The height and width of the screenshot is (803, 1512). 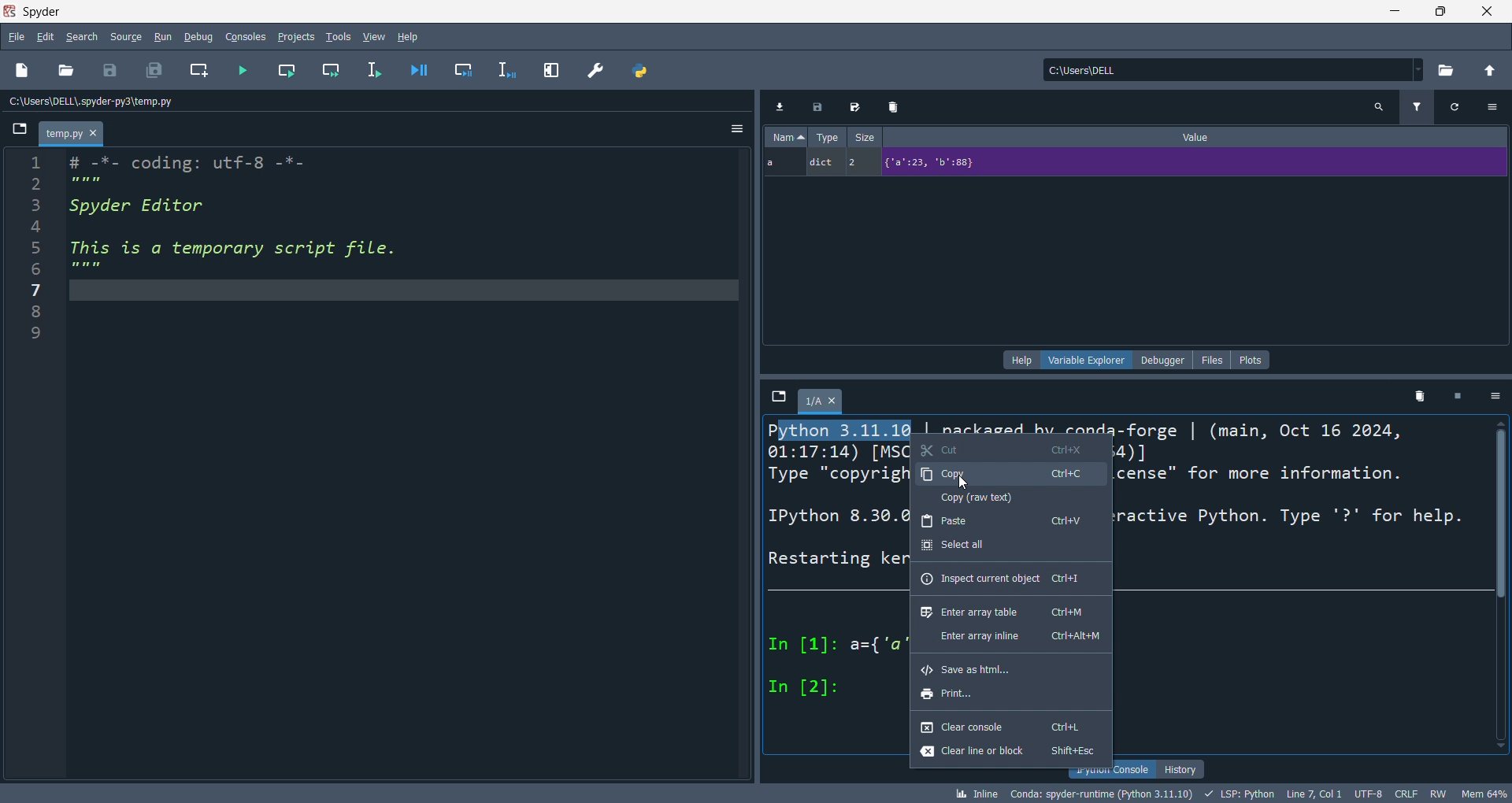 What do you see at coordinates (244, 68) in the screenshot?
I see `run file` at bounding box center [244, 68].